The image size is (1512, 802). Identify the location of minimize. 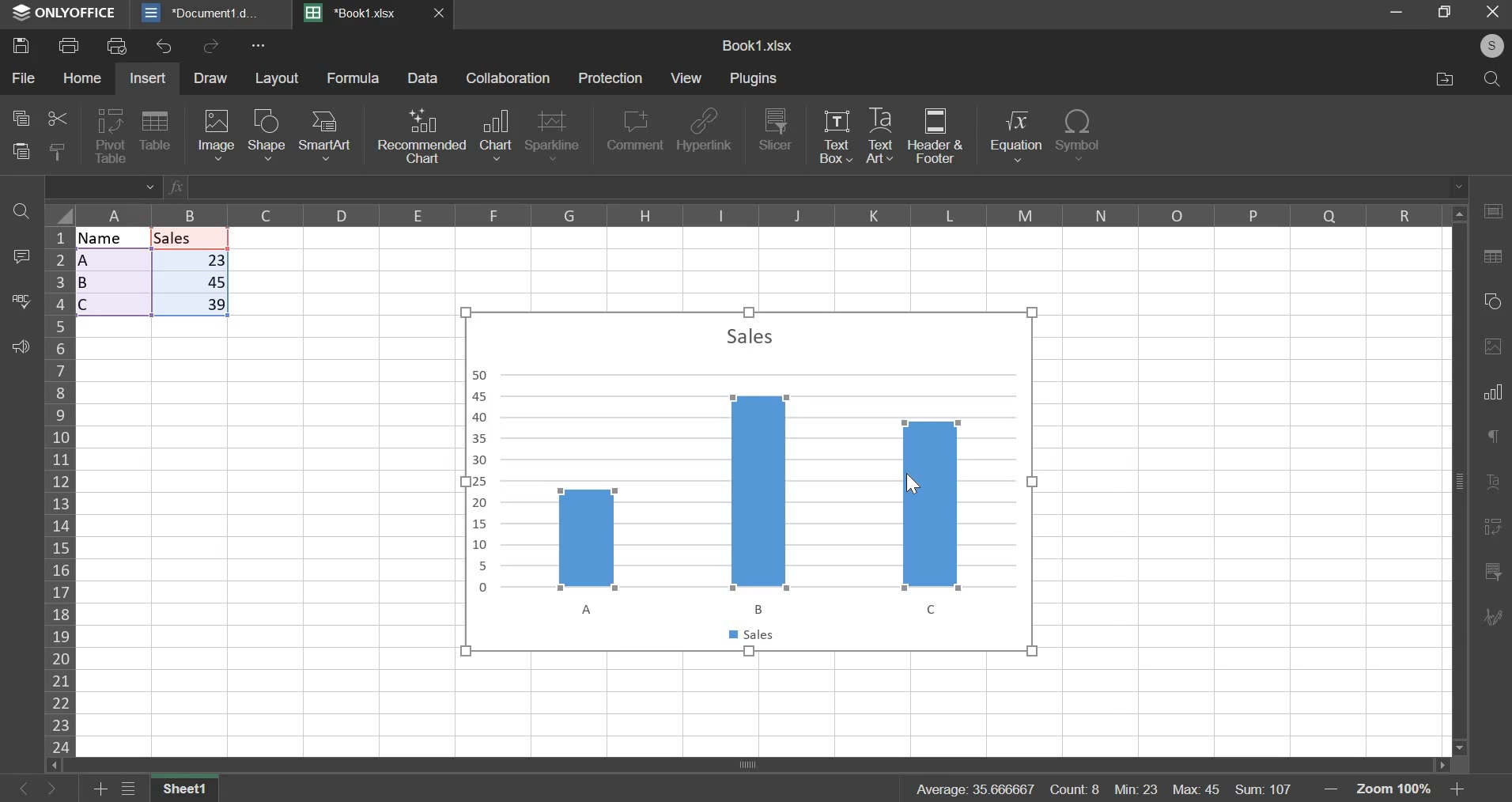
(1394, 13).